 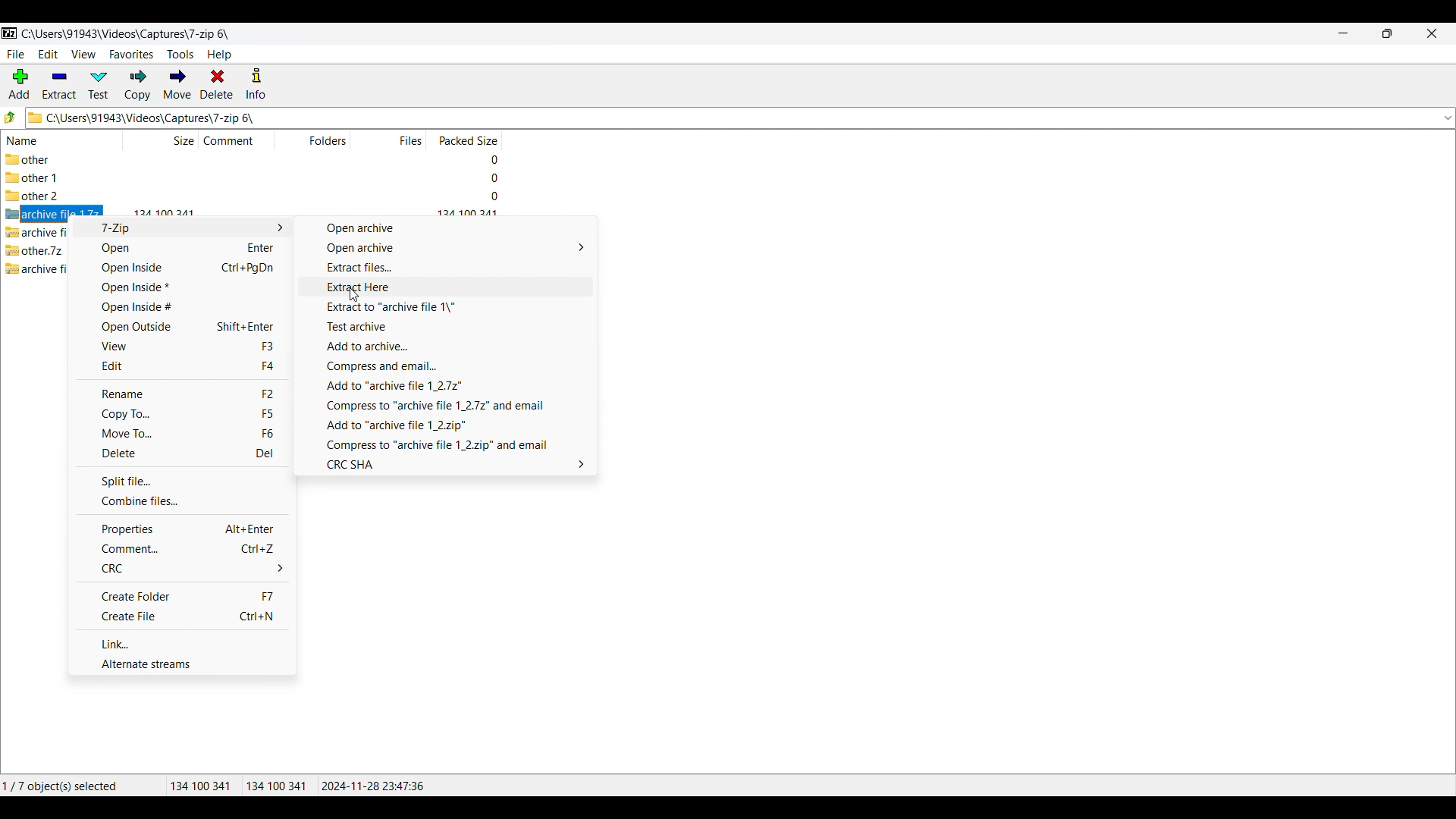 What do you see at coordinates (180, 414) in the screenshot?
I see `Copy to` at bounding box center [180, 414].